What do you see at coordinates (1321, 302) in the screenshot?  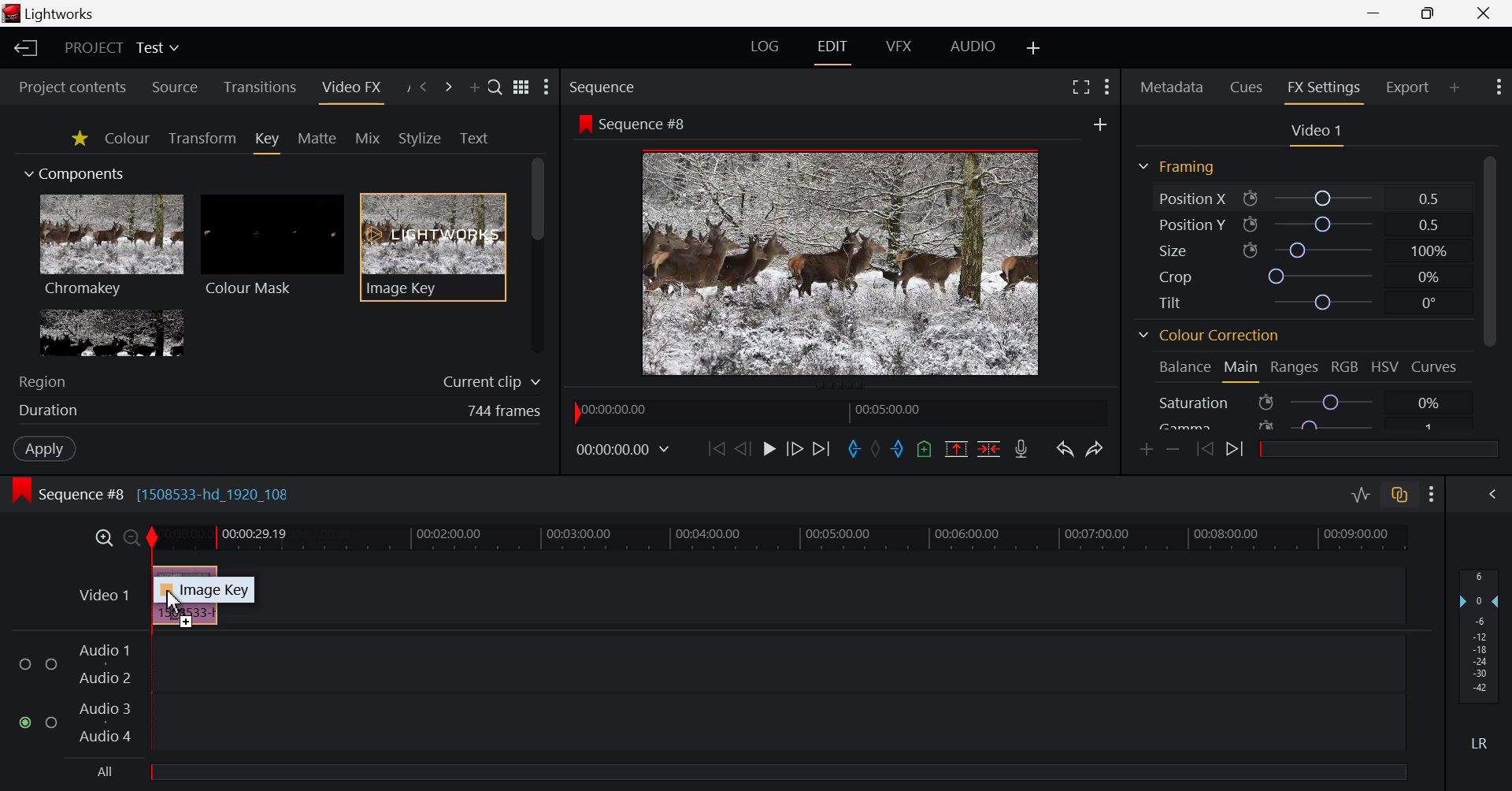 I see `tilt` at bounding box center [1321, 302].